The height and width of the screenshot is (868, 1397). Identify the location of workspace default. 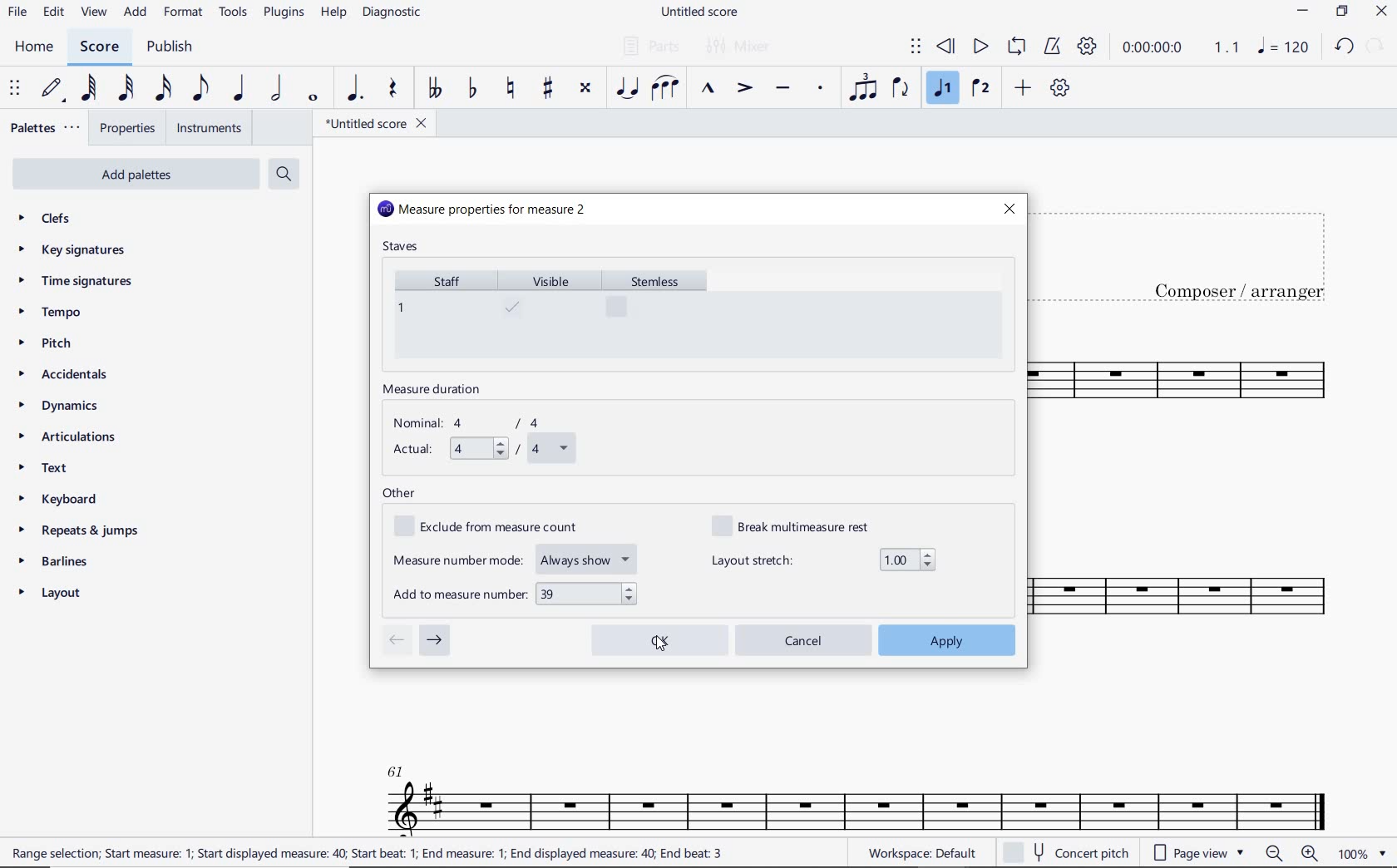
(921, 855).